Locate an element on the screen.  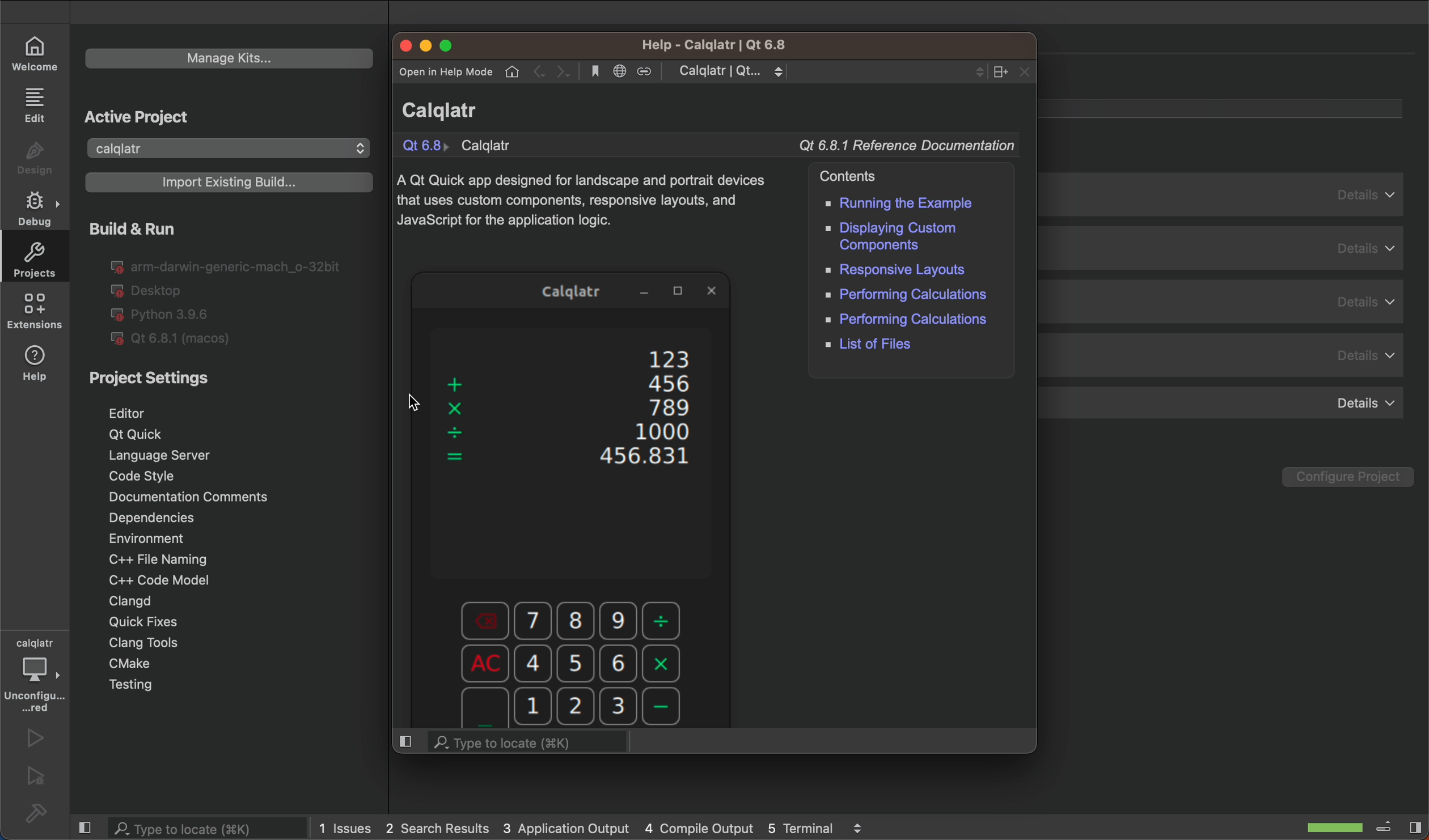
environment is located at coordinates (144, 538).